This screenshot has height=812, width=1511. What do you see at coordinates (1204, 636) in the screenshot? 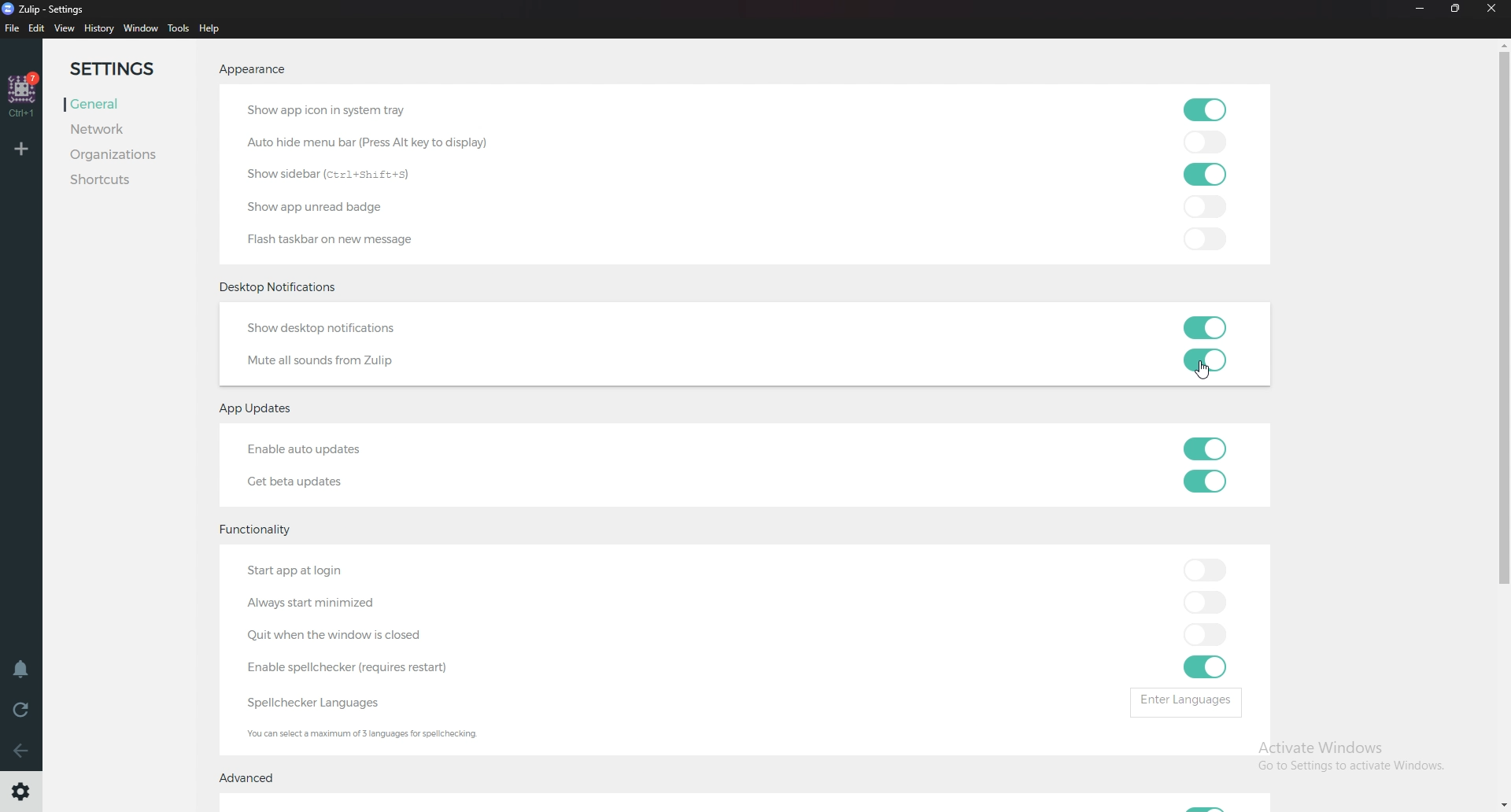
I see `toggle` at bounding box center [1204, 636].